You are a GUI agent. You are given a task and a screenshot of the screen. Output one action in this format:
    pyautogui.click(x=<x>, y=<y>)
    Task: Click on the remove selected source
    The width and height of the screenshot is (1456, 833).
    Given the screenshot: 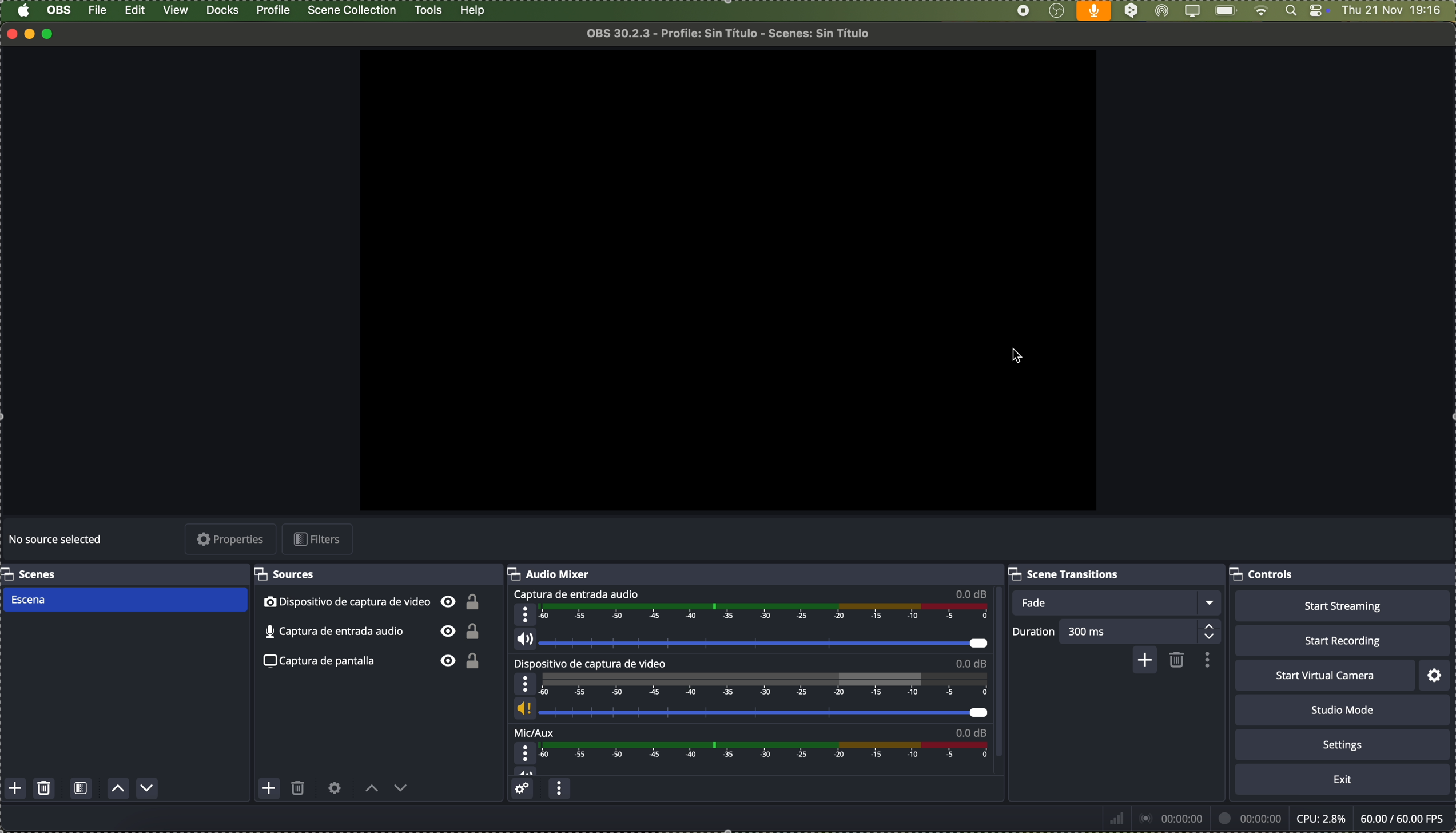 What is the action you would take?
    pyautogui.click(x=299, y=791)
    